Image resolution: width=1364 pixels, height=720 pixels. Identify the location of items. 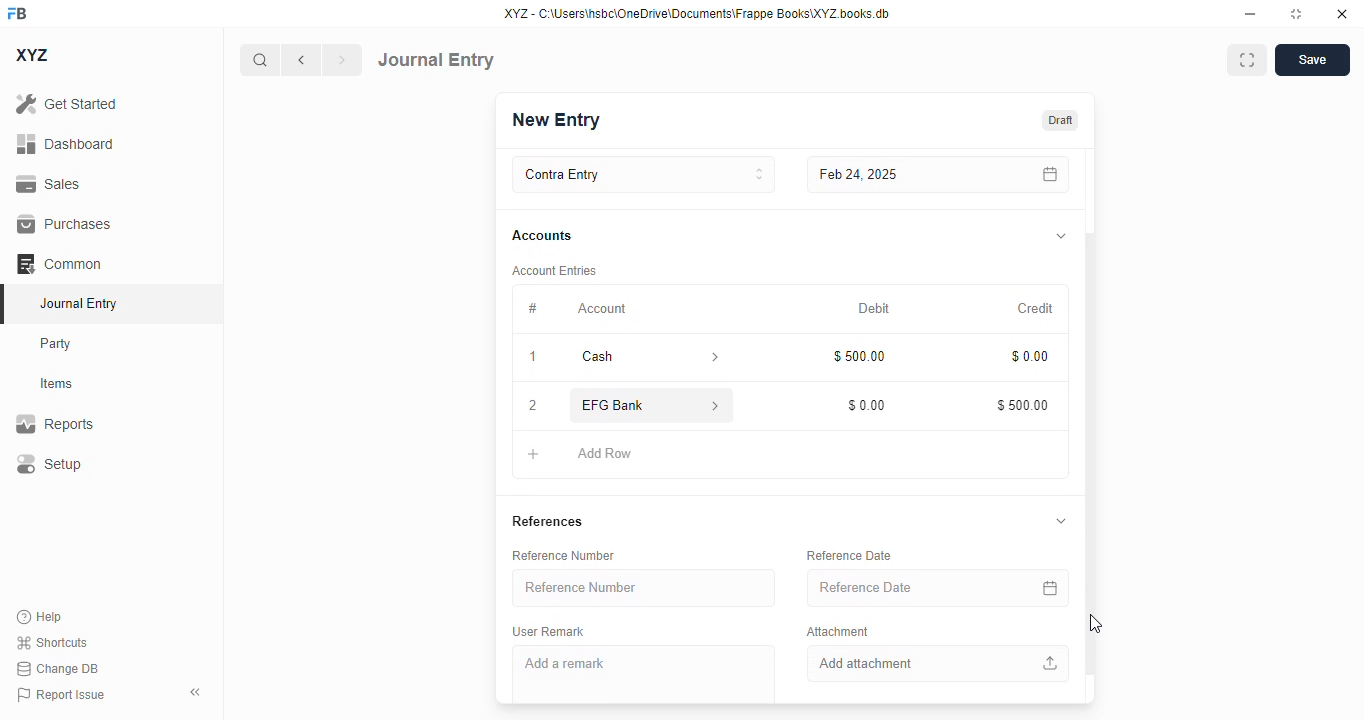
(57, 384).